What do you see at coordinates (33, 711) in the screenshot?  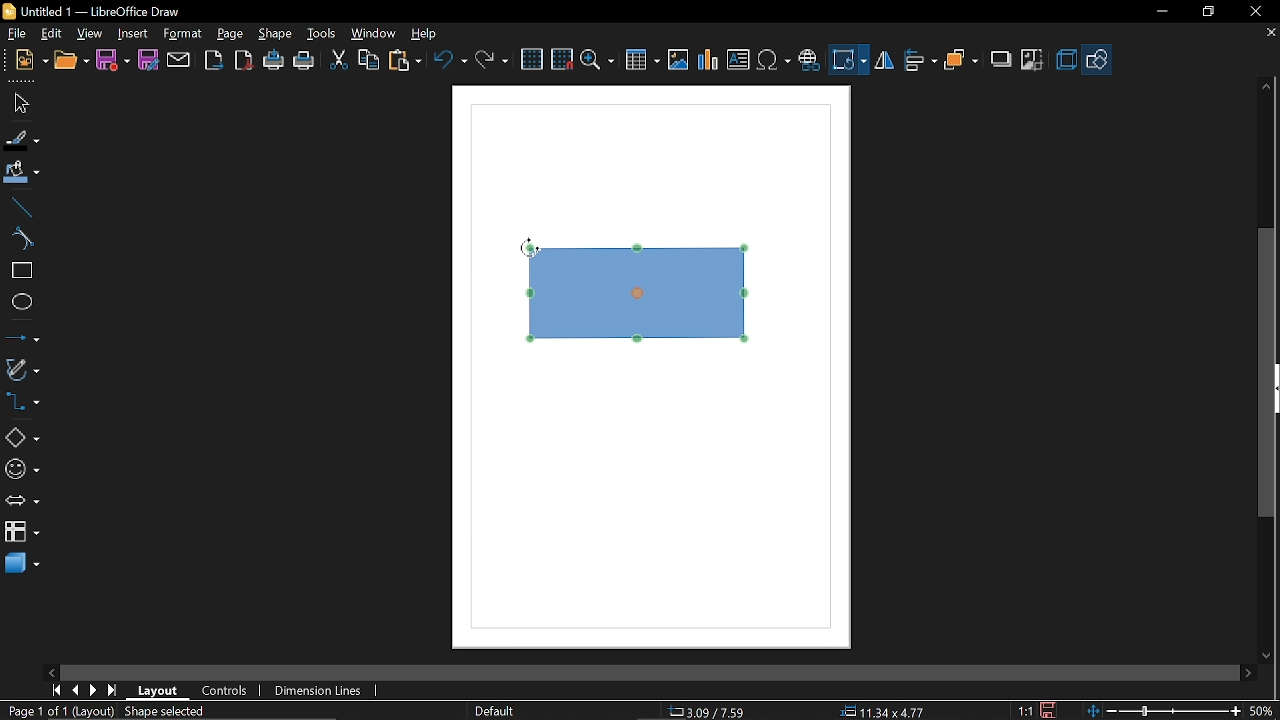 I see `Page 1 of 1` at bounding box center [33, 711].